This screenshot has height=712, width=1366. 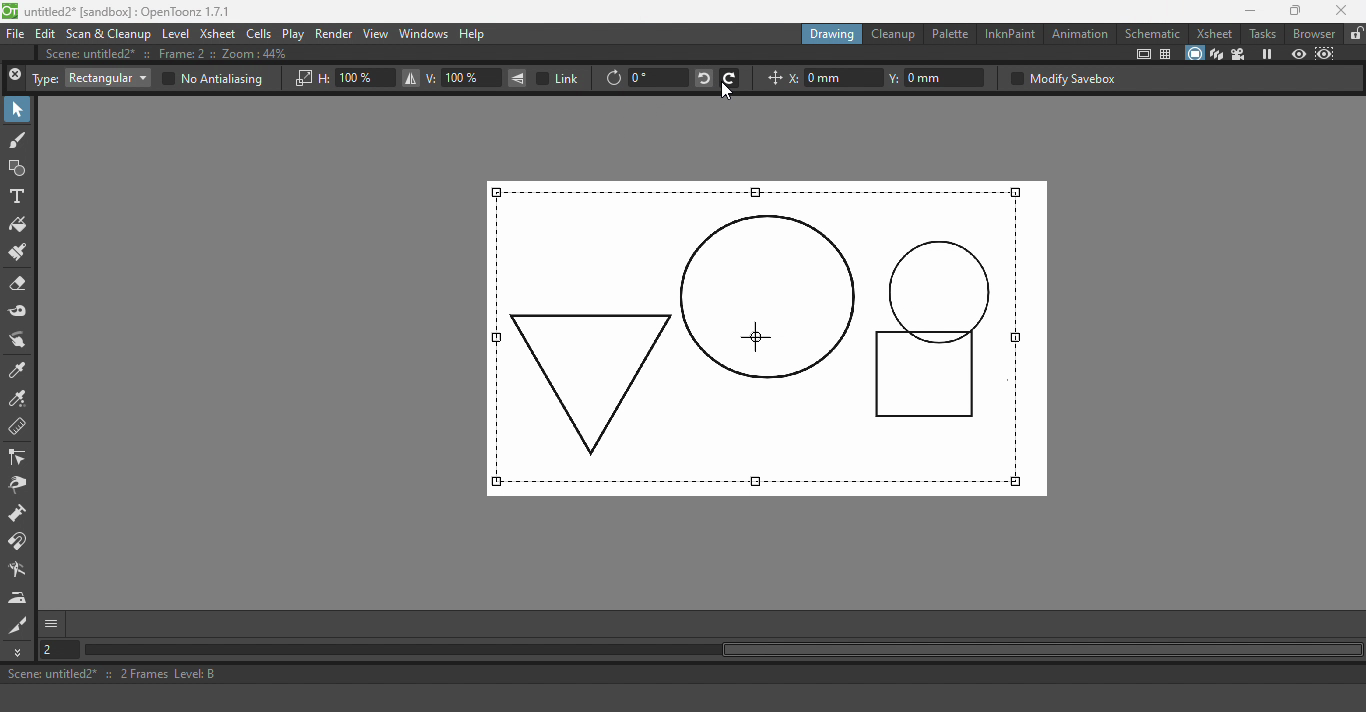 I want to click on RGB Picker tool, so click(x=19, y=400).